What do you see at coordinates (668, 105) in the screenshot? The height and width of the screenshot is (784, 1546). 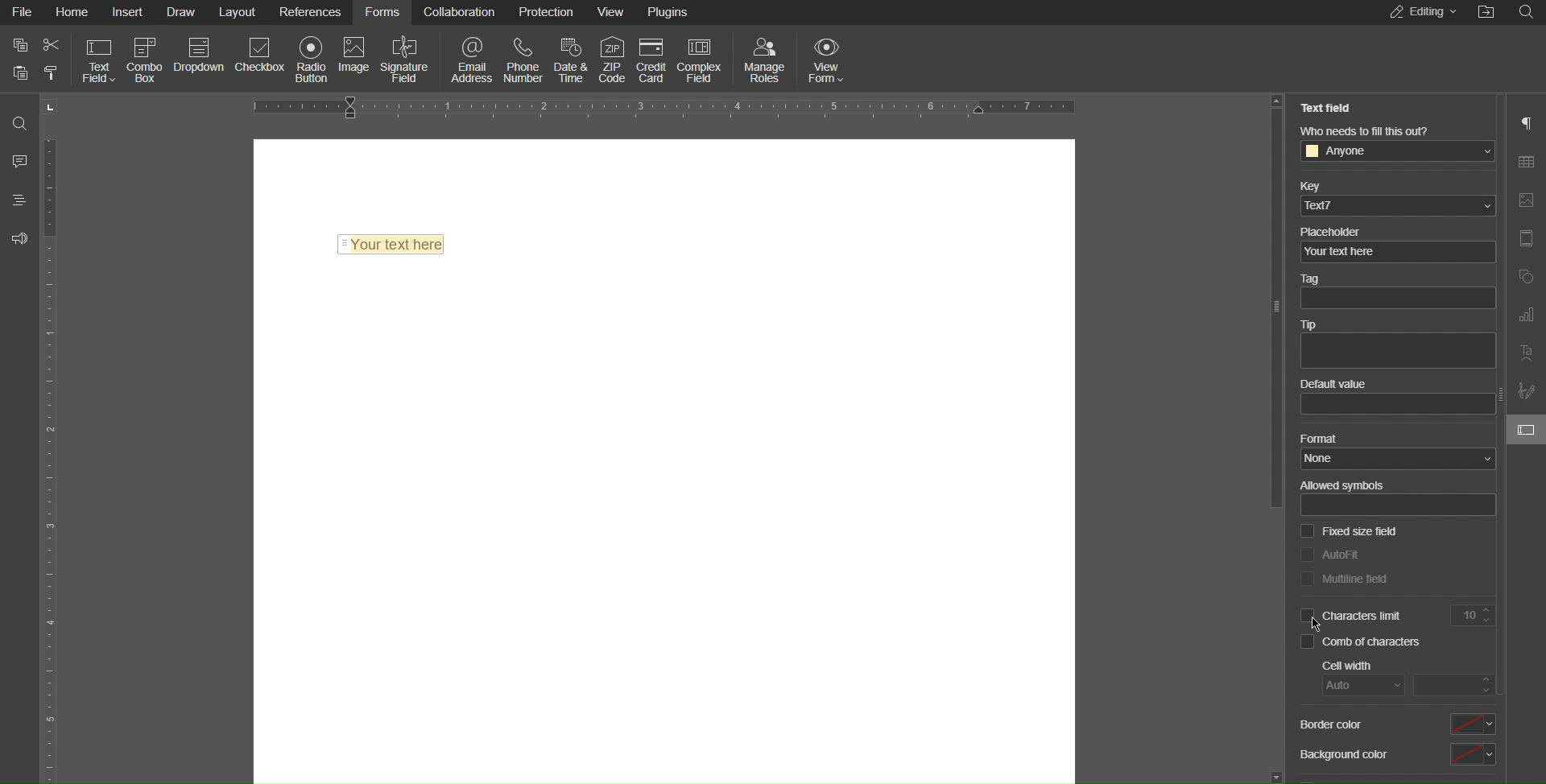 I see `Horizontal Ruler` at bounding box center [668, 105].